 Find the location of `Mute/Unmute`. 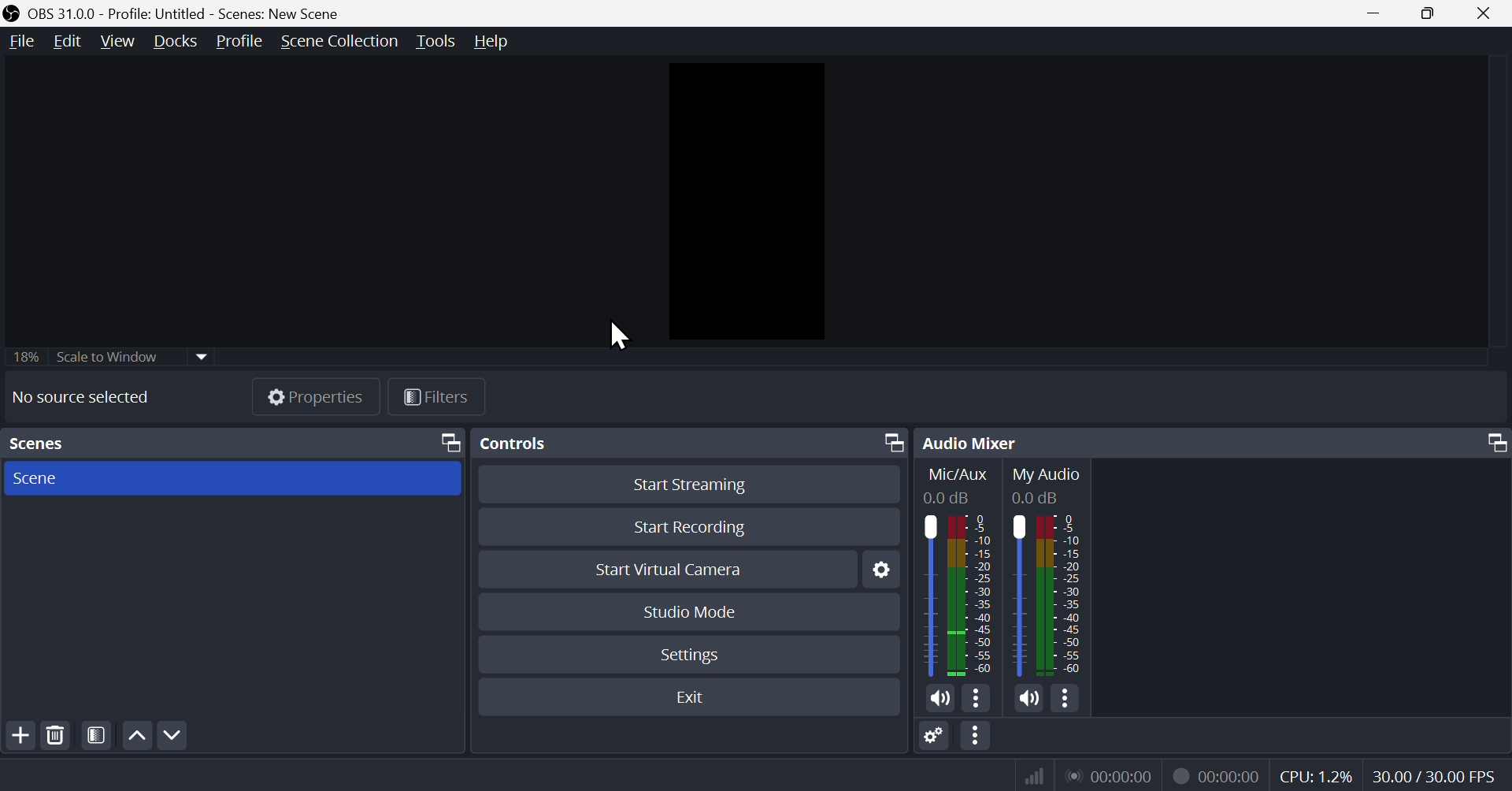

Mute/Unmute is located at coordinates (938, 696).